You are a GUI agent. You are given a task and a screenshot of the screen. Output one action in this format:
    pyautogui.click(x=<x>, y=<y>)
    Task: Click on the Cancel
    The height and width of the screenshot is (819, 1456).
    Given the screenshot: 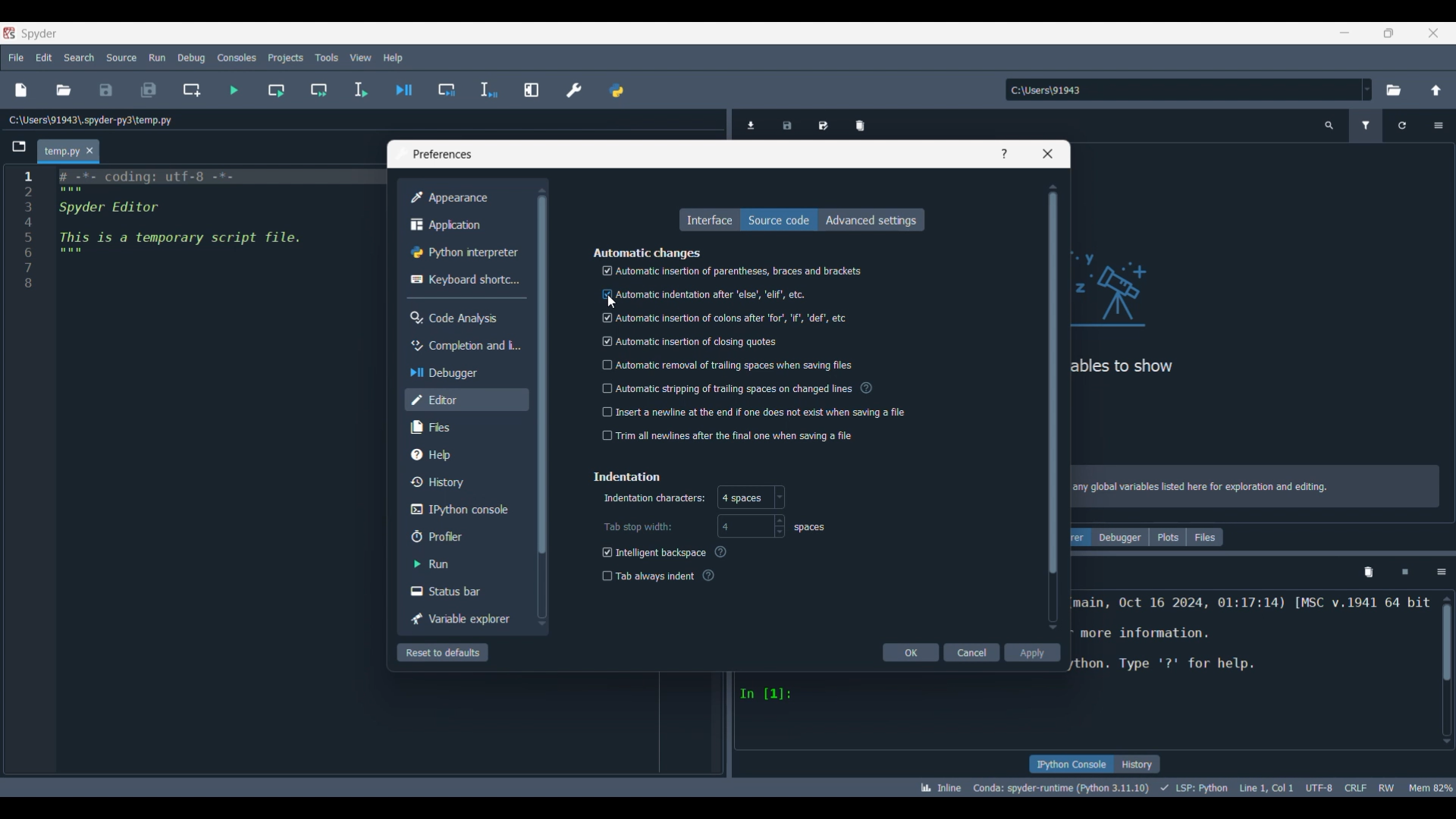 What is the action you would take?
    pyautogui.click(x=971, y=652)
    